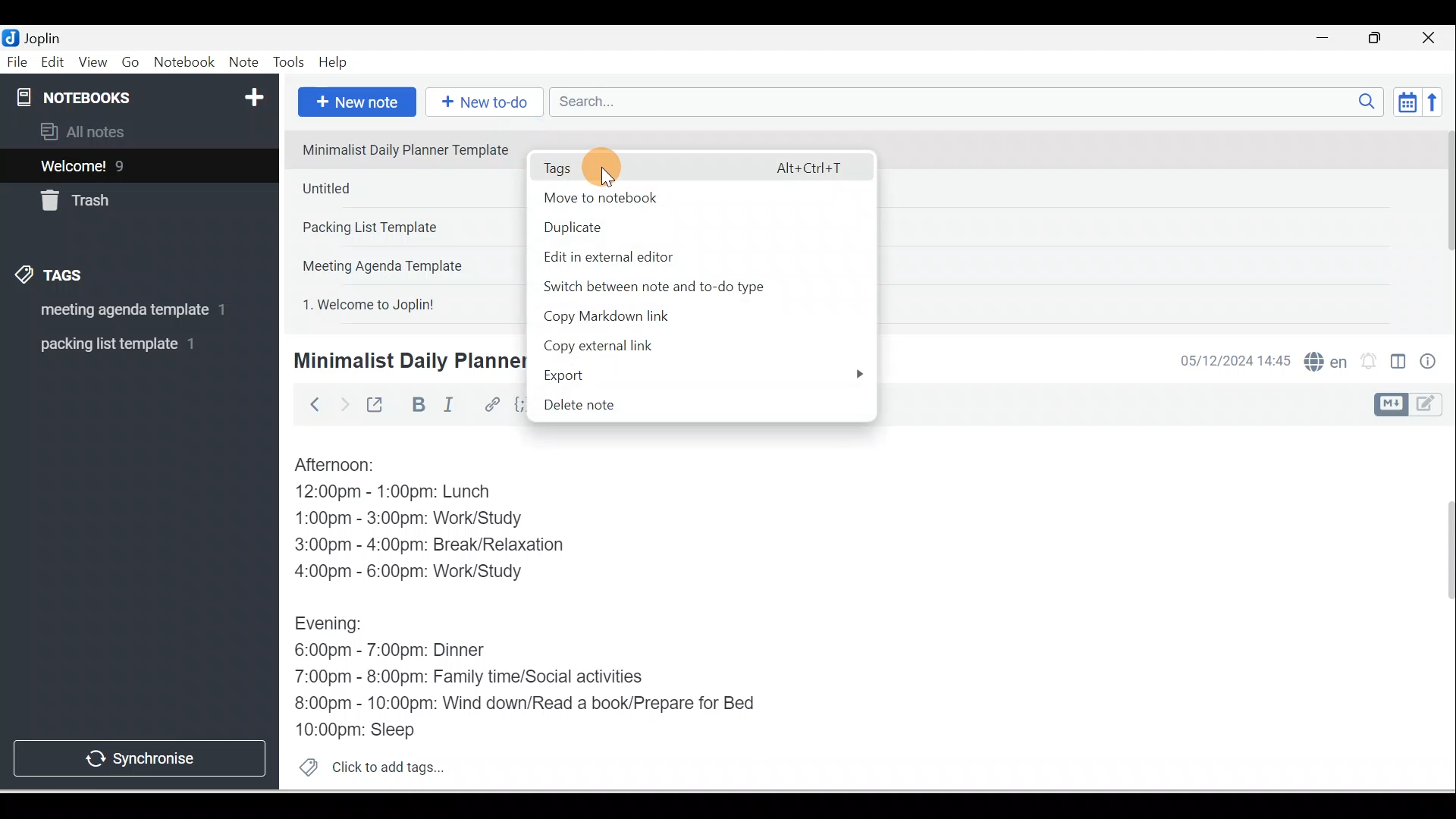 Image resolution: width=1456 pixels, height=819 pixels. Describe the element at coordinates (626, 347) in the screenshot. I see `Copy external link` at that location.